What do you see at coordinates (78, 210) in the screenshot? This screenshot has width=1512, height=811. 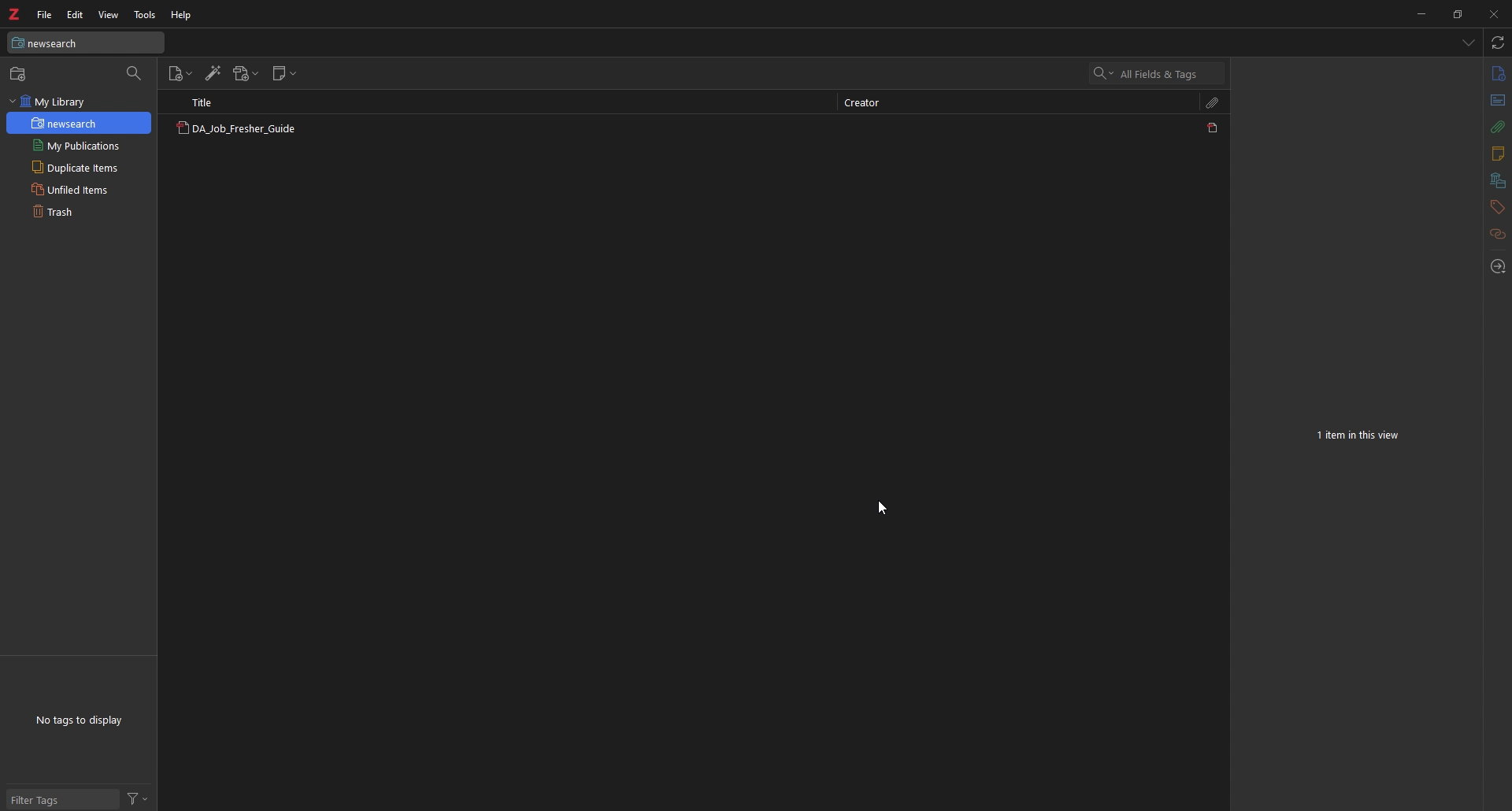 I see `trash` at bounding box center [78, 210].